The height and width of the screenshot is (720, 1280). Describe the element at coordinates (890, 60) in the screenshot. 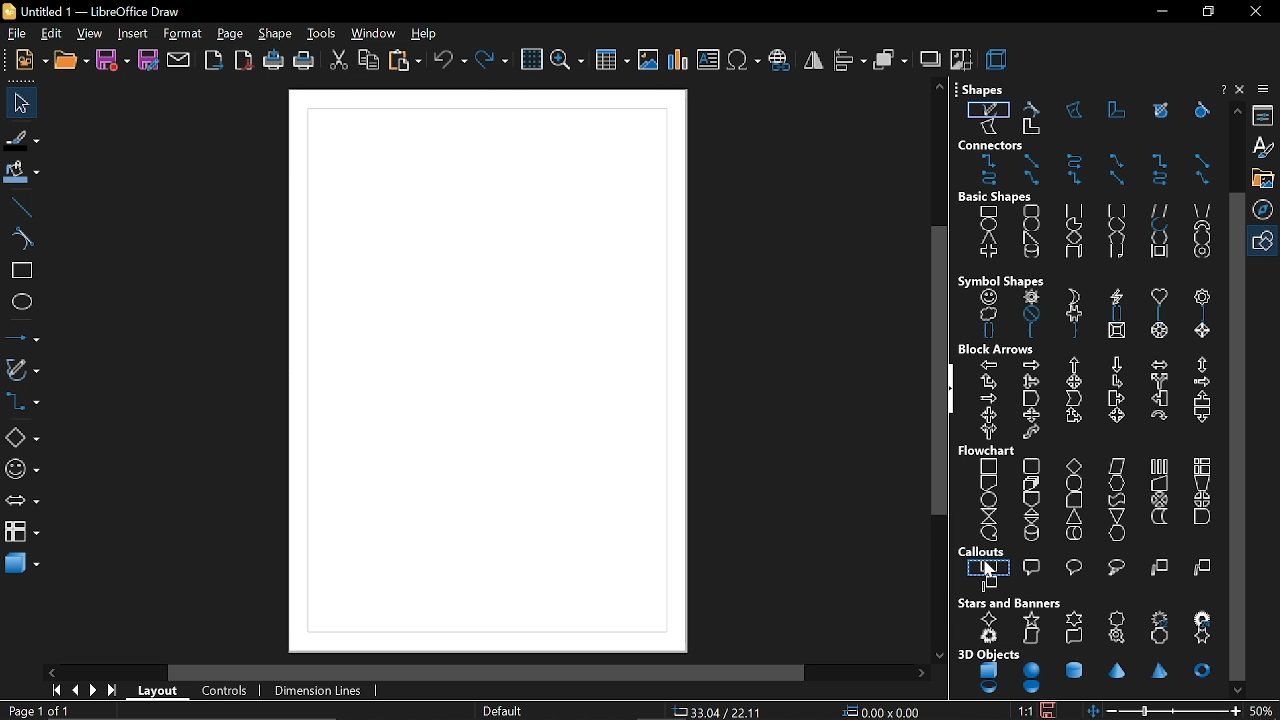

I see `arrange` at that location.